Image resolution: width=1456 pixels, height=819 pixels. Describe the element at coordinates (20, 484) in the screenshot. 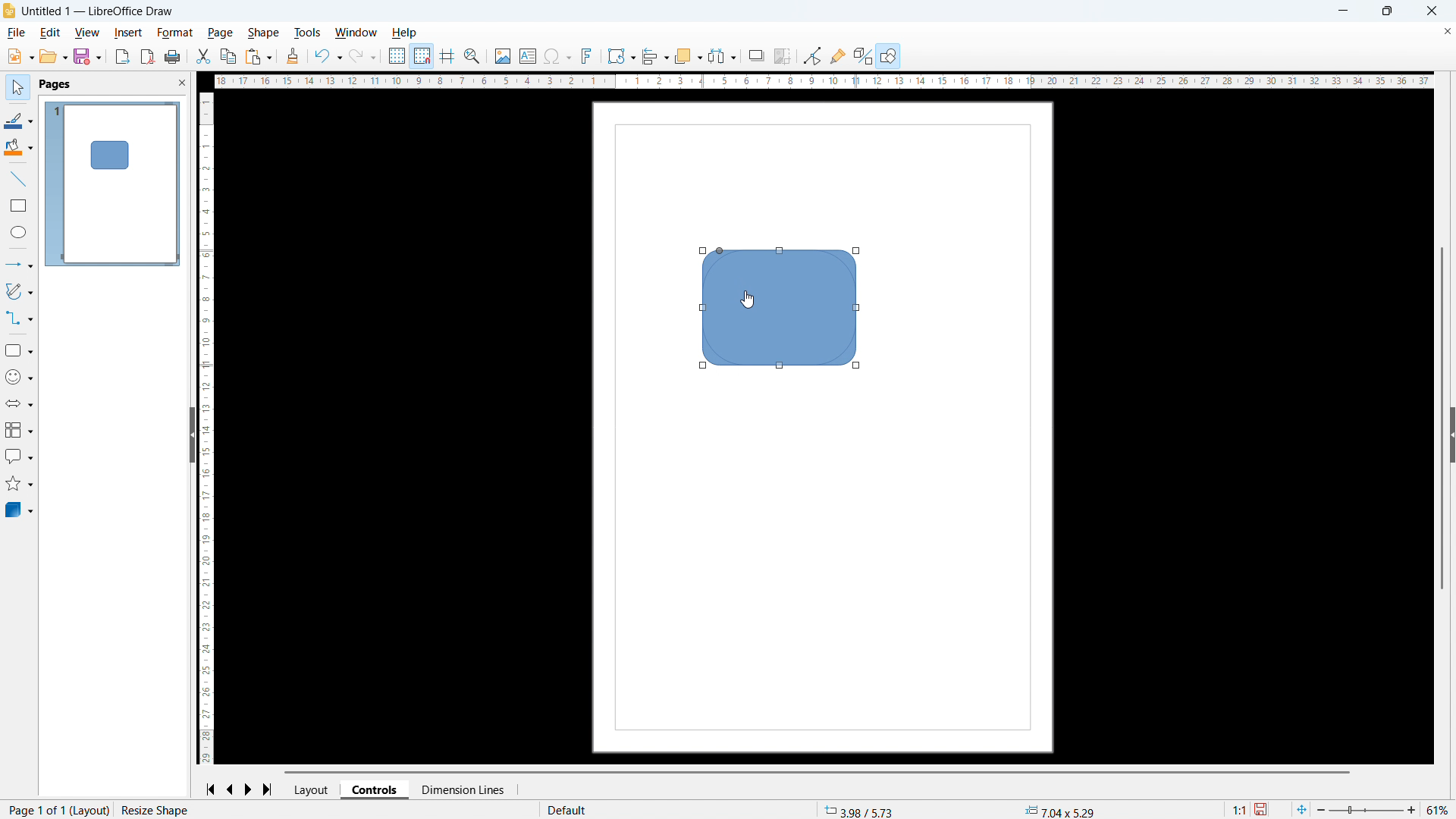

I see `Stars and banners ` at that location.